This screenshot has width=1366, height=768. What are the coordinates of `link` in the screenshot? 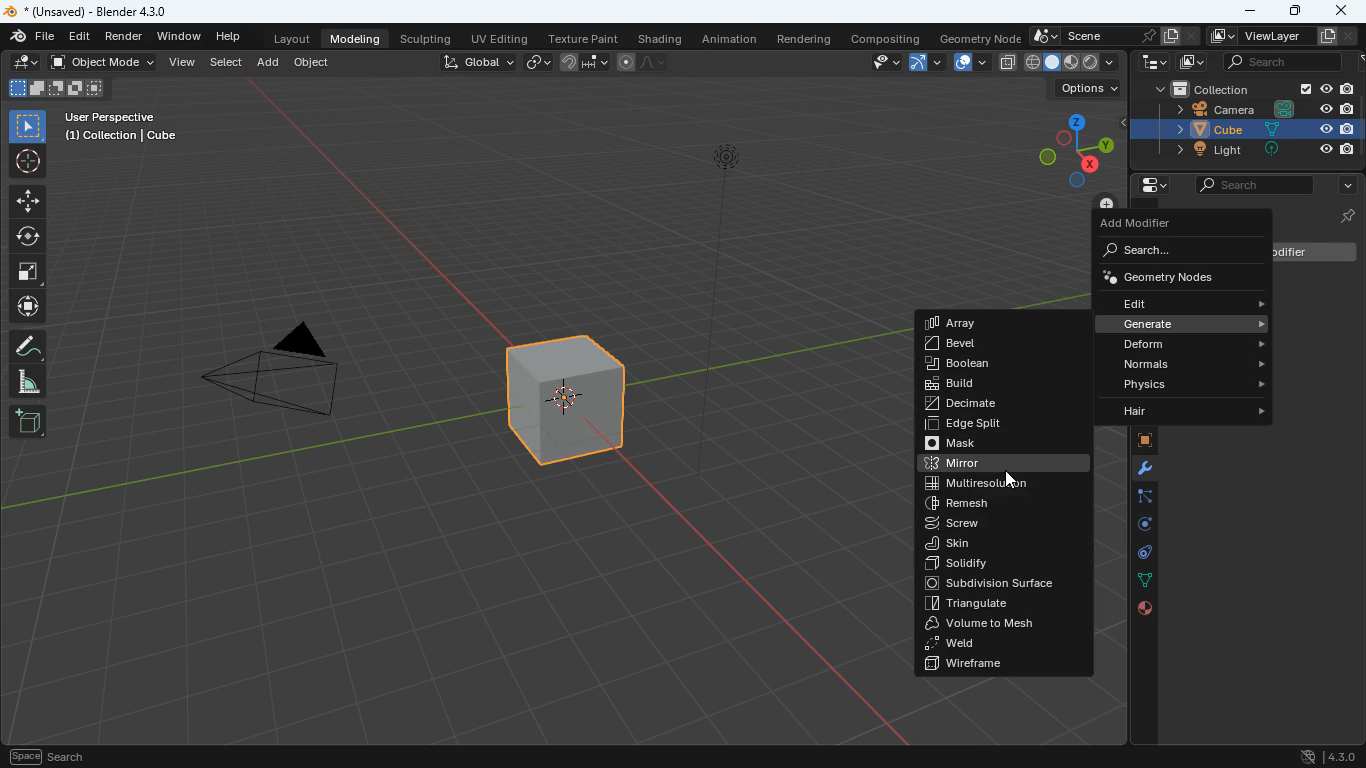 It's located at (540, 63).